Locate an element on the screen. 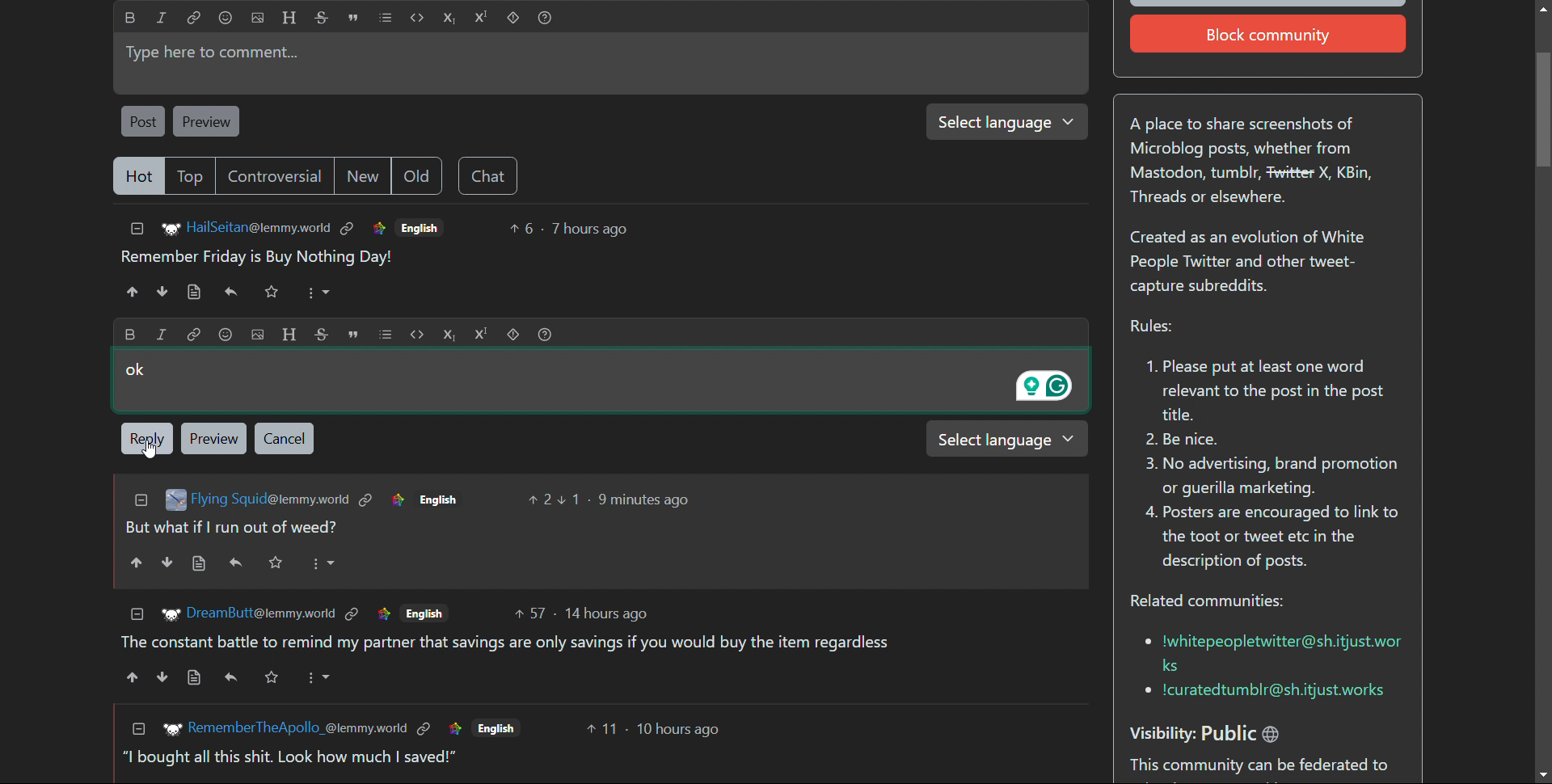  username is located at coordinates (269, 501).